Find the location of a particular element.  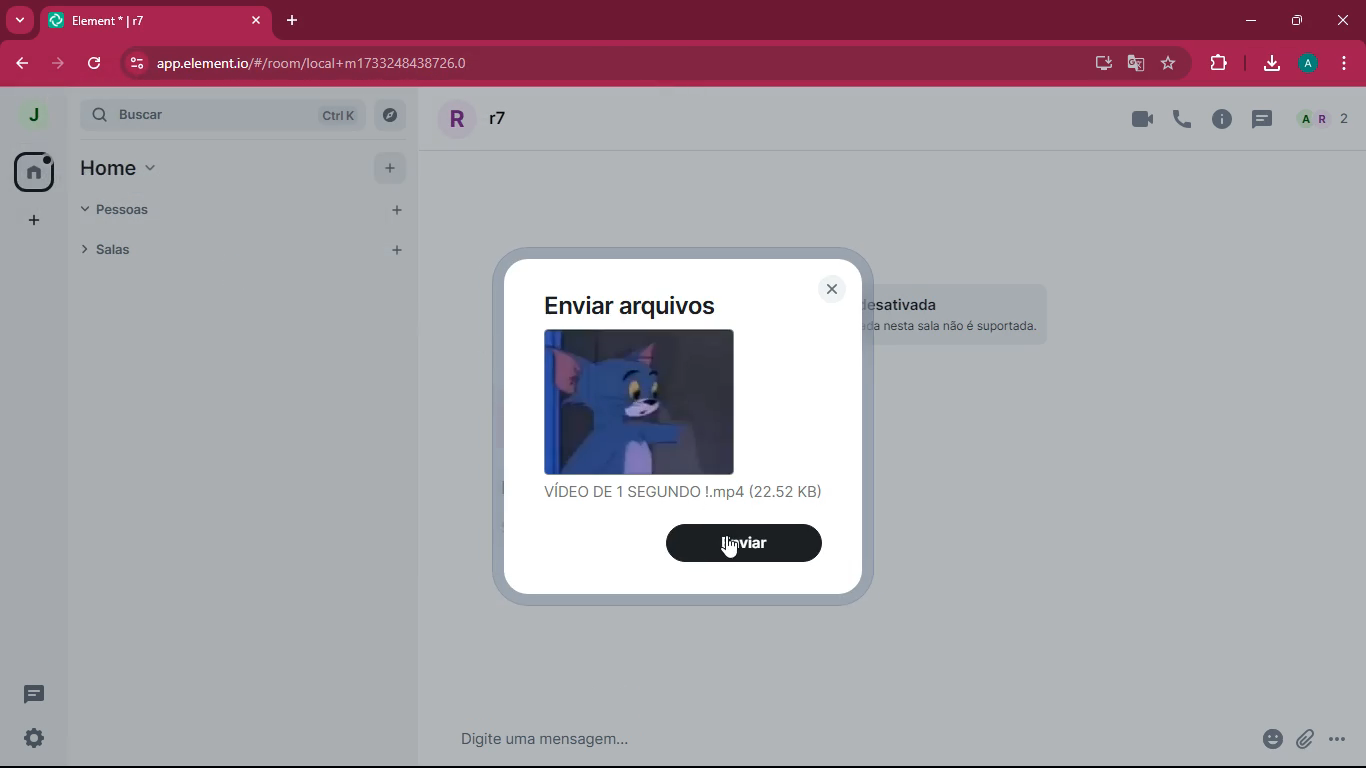

entension is located at coordinates (1214, 64).